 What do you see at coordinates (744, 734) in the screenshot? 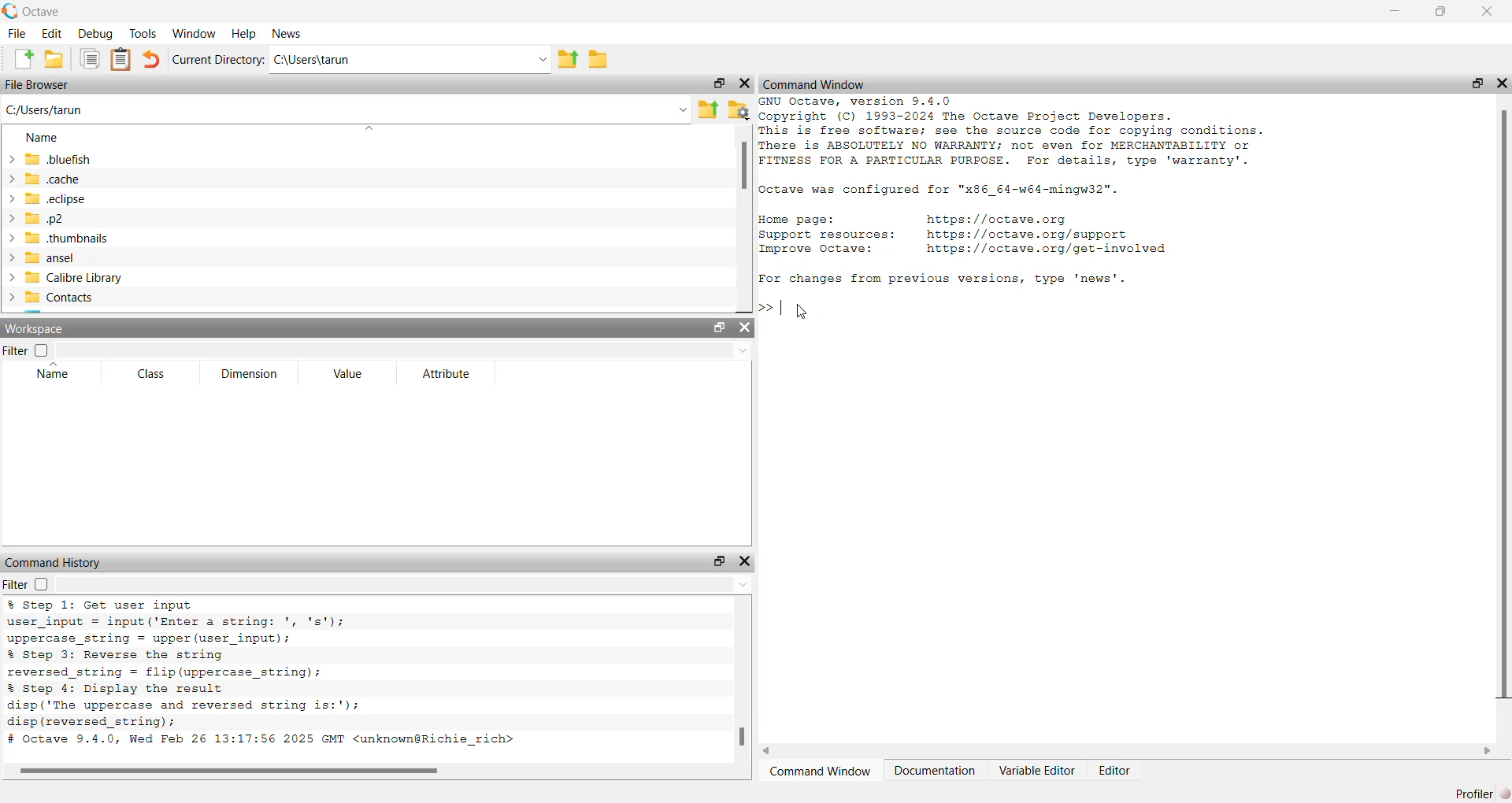
I see `scrollbar` at bounding box center [744, 734].